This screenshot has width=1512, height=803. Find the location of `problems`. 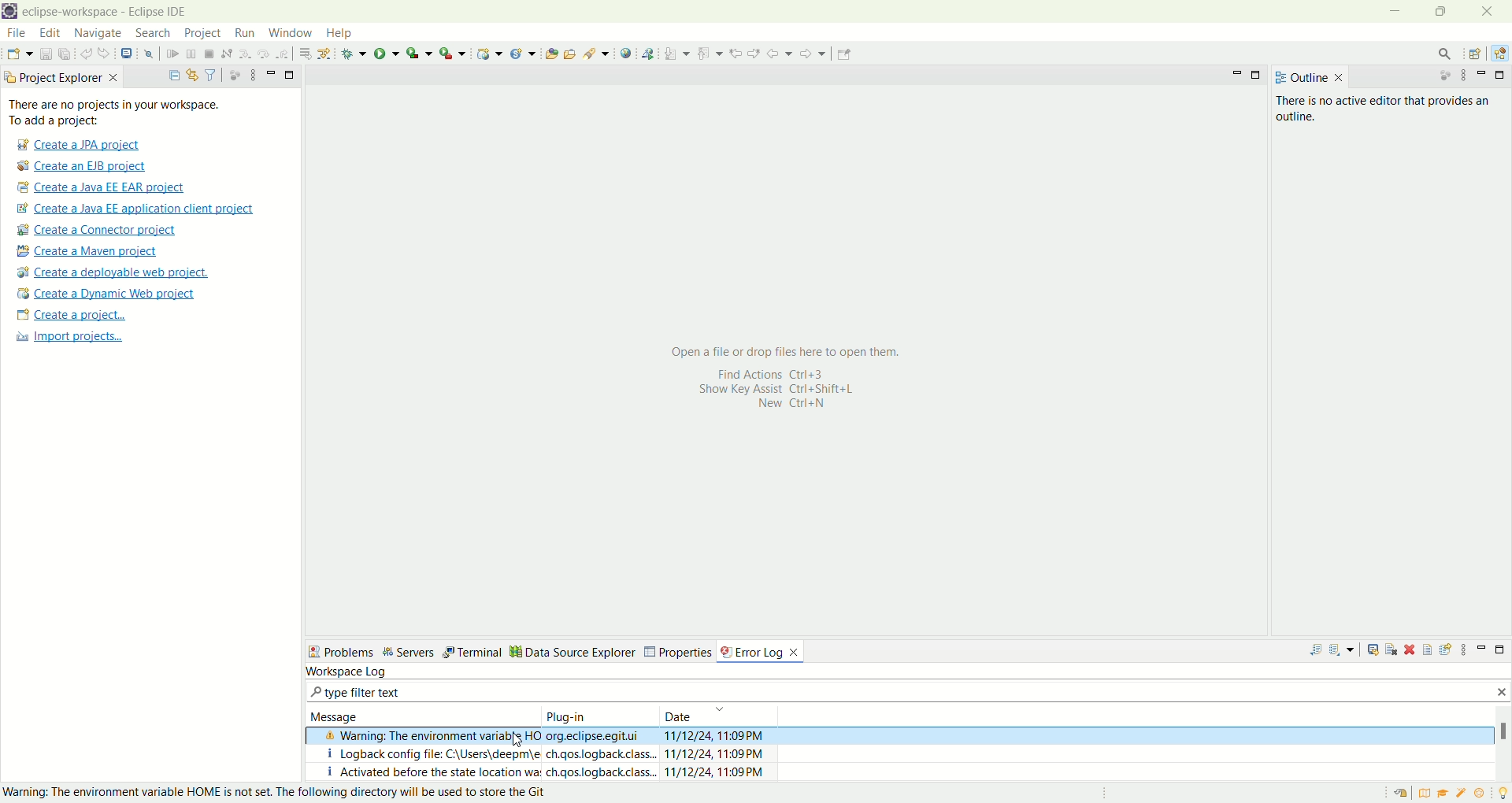

problems is located at coordinates (347, 650).